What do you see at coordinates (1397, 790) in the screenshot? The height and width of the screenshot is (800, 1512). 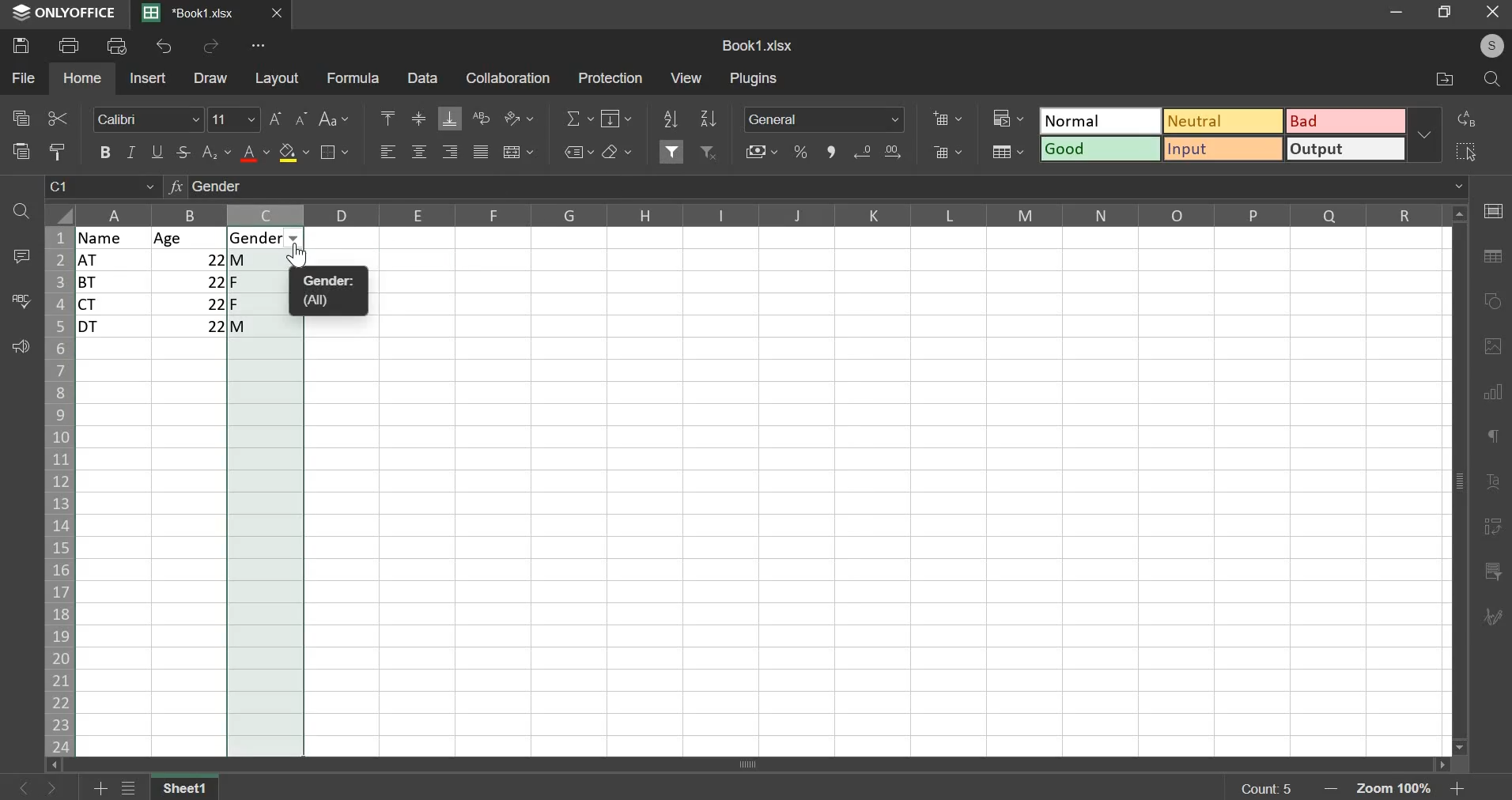 I see `zoom kevel` at bounding box center [1397, 790].